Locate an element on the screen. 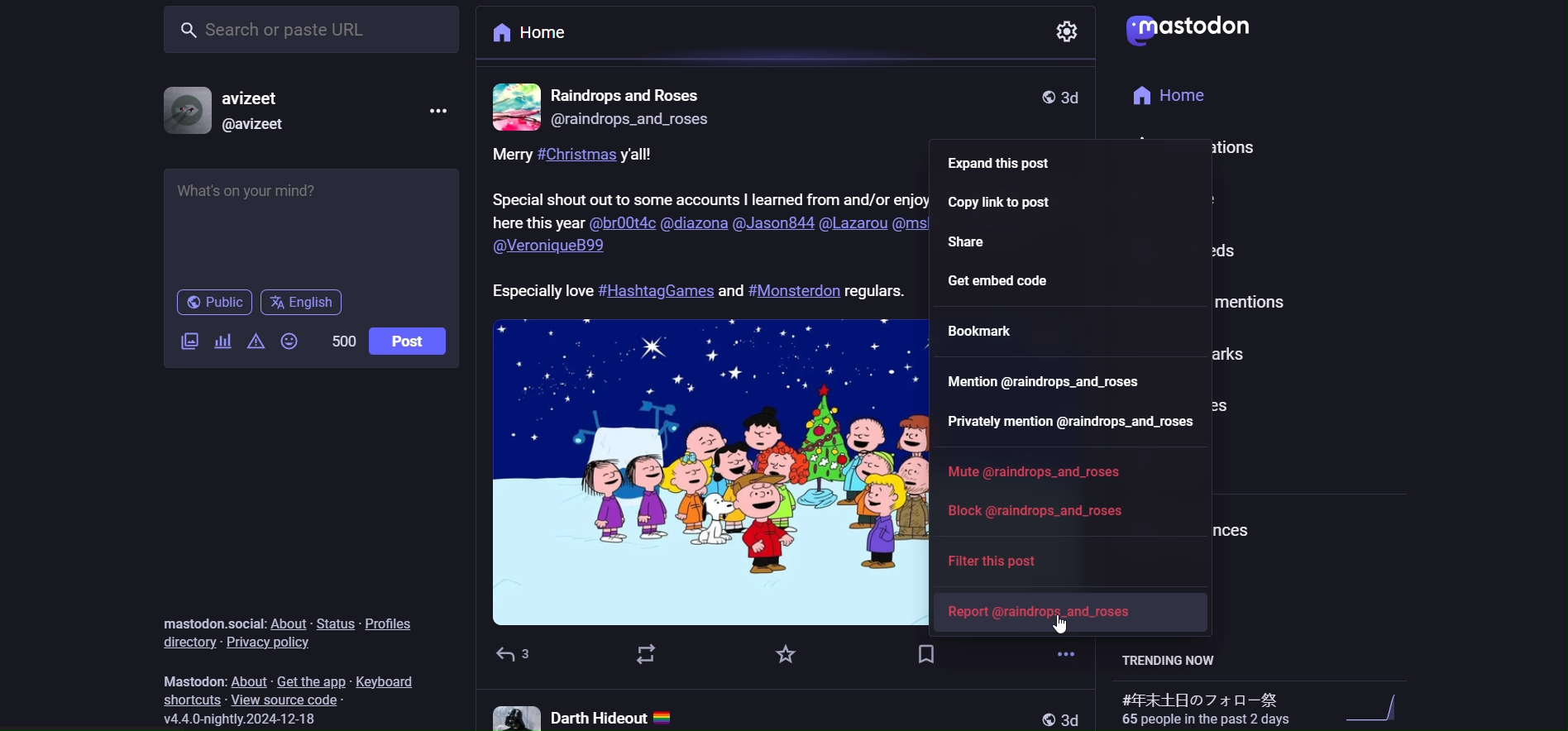 This screenshot has width=1568, height=731. setting is located at coordinates (1068, 34).